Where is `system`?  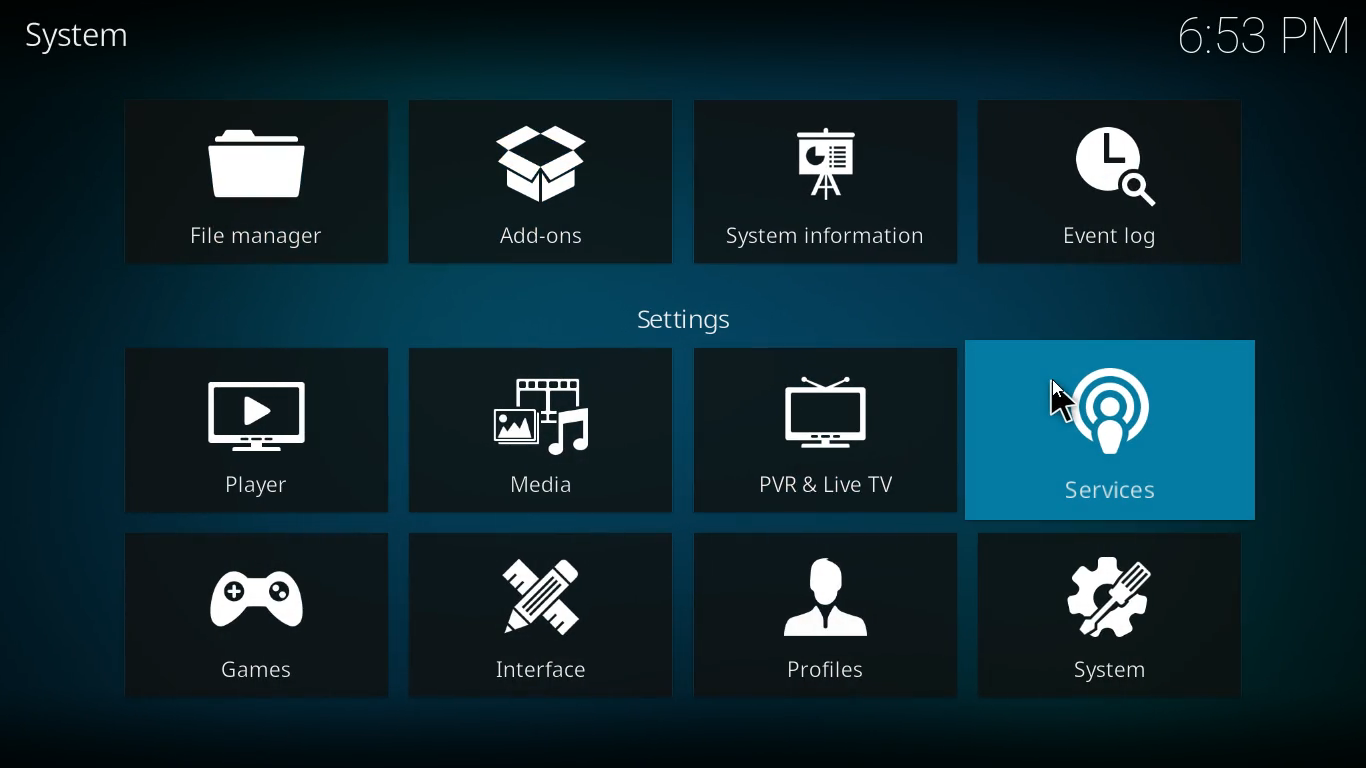 system is located at coordinates (89, 38).